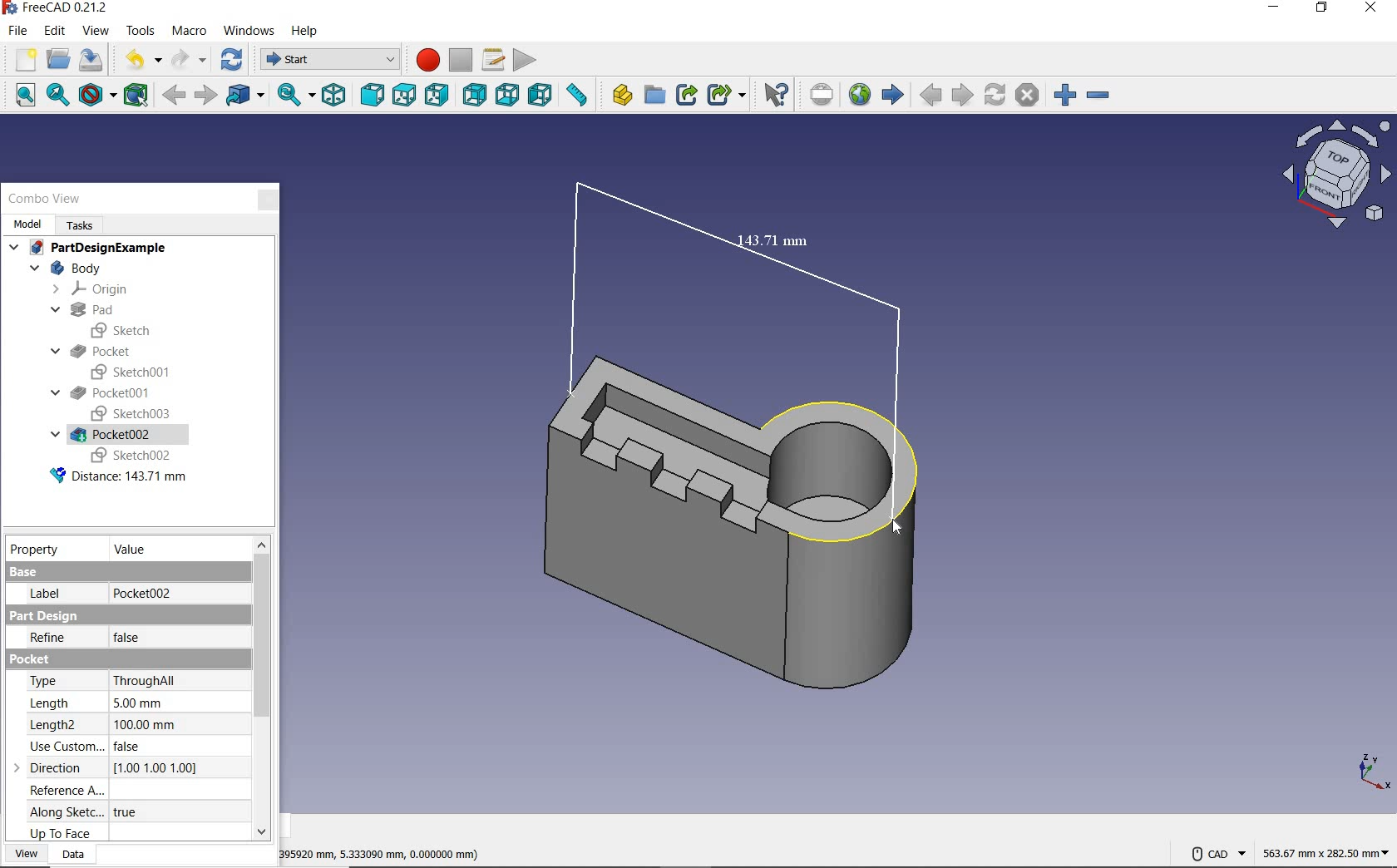 This screenshot has width=1397, height=868. Describe the element at coordinates (903, 530) in the screenshot. I see `cursor ` at that location.